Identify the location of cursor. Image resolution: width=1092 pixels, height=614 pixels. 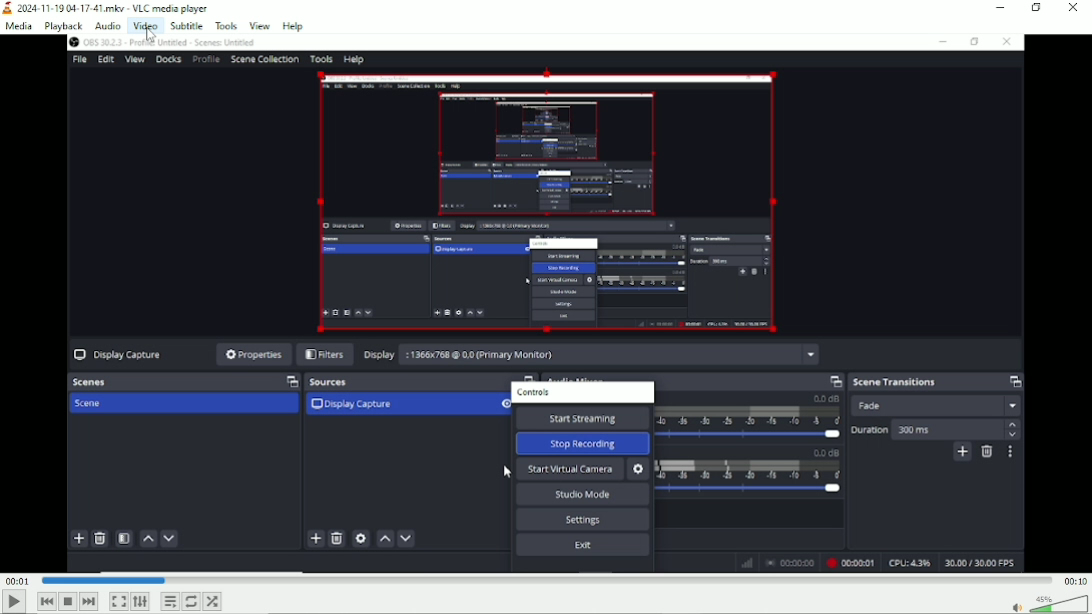
(152, 39).